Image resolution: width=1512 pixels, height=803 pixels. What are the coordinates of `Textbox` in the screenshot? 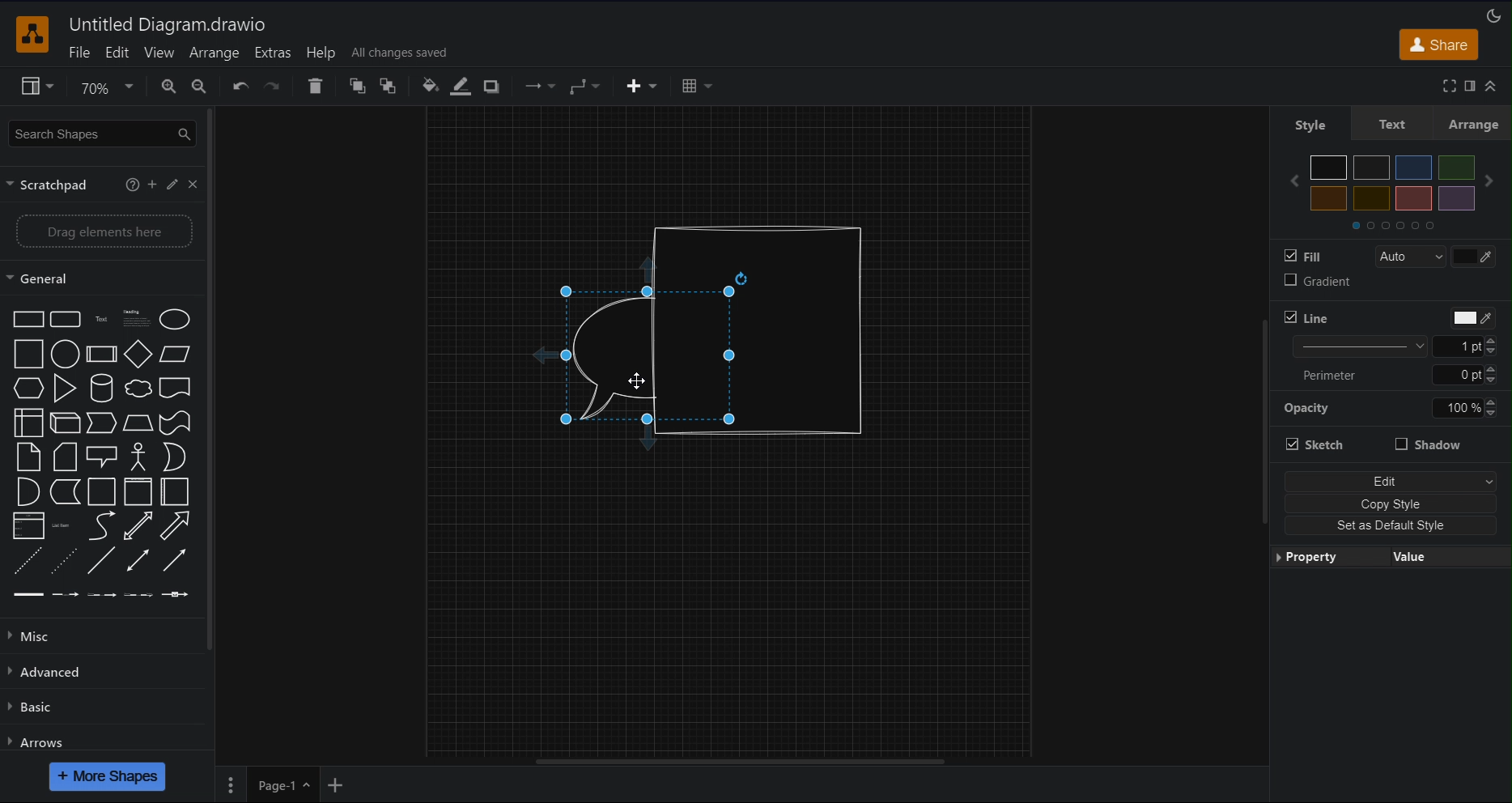 It's located at (137, 319).